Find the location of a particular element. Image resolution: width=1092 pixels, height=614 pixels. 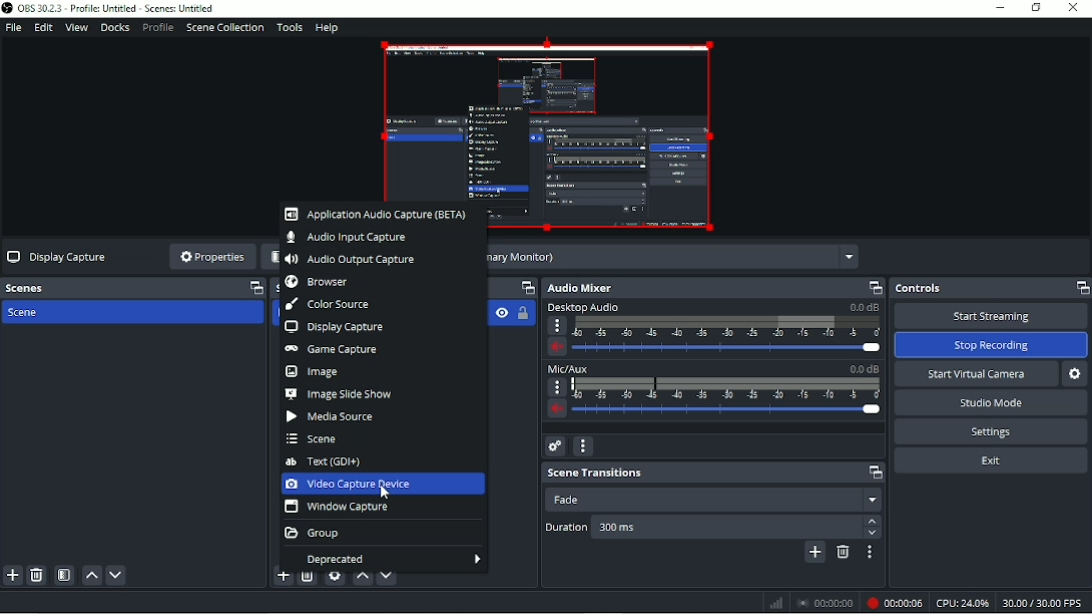

Game capture is located at coordinates (334, 349).